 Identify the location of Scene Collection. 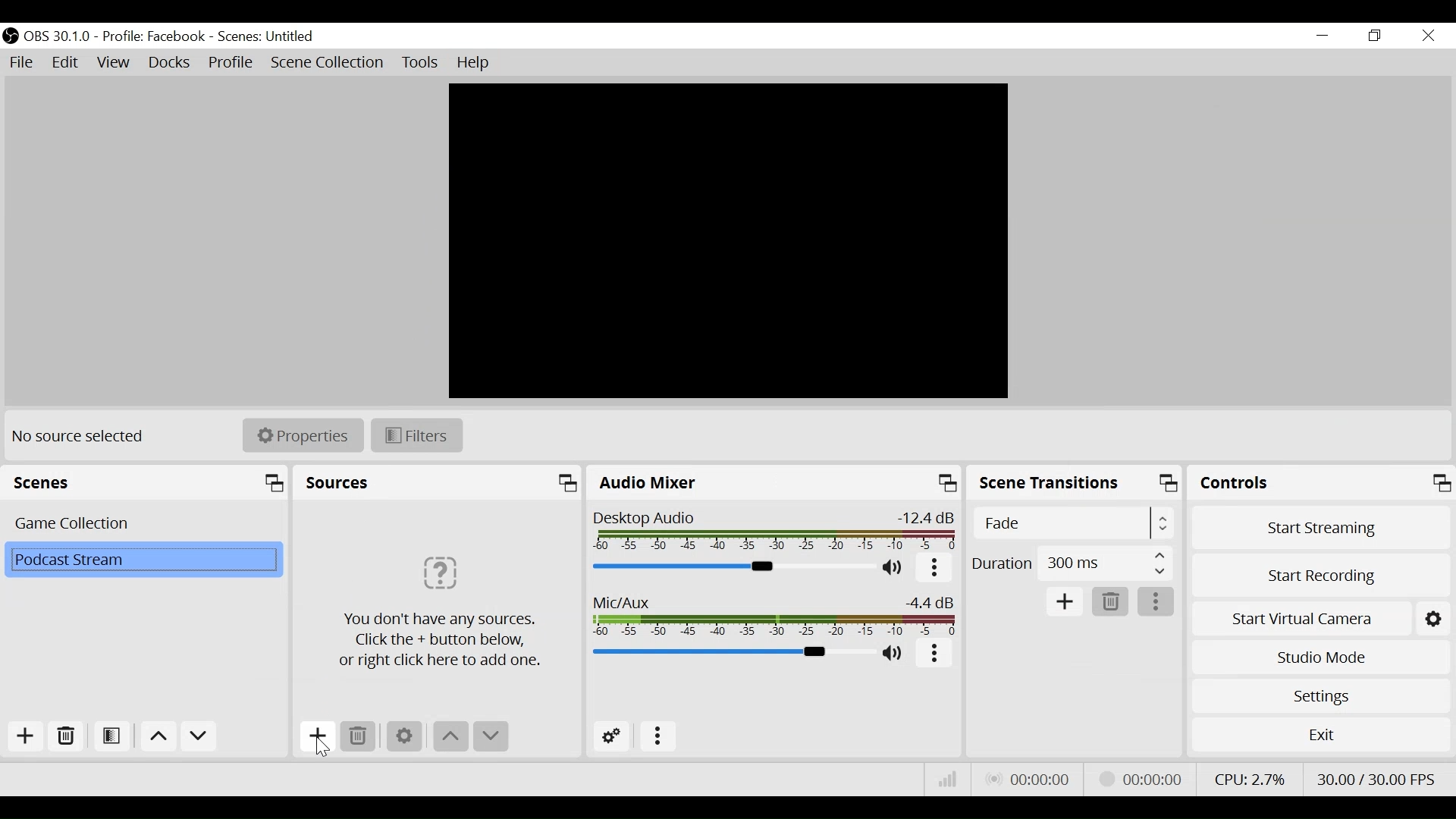
(327, 63).